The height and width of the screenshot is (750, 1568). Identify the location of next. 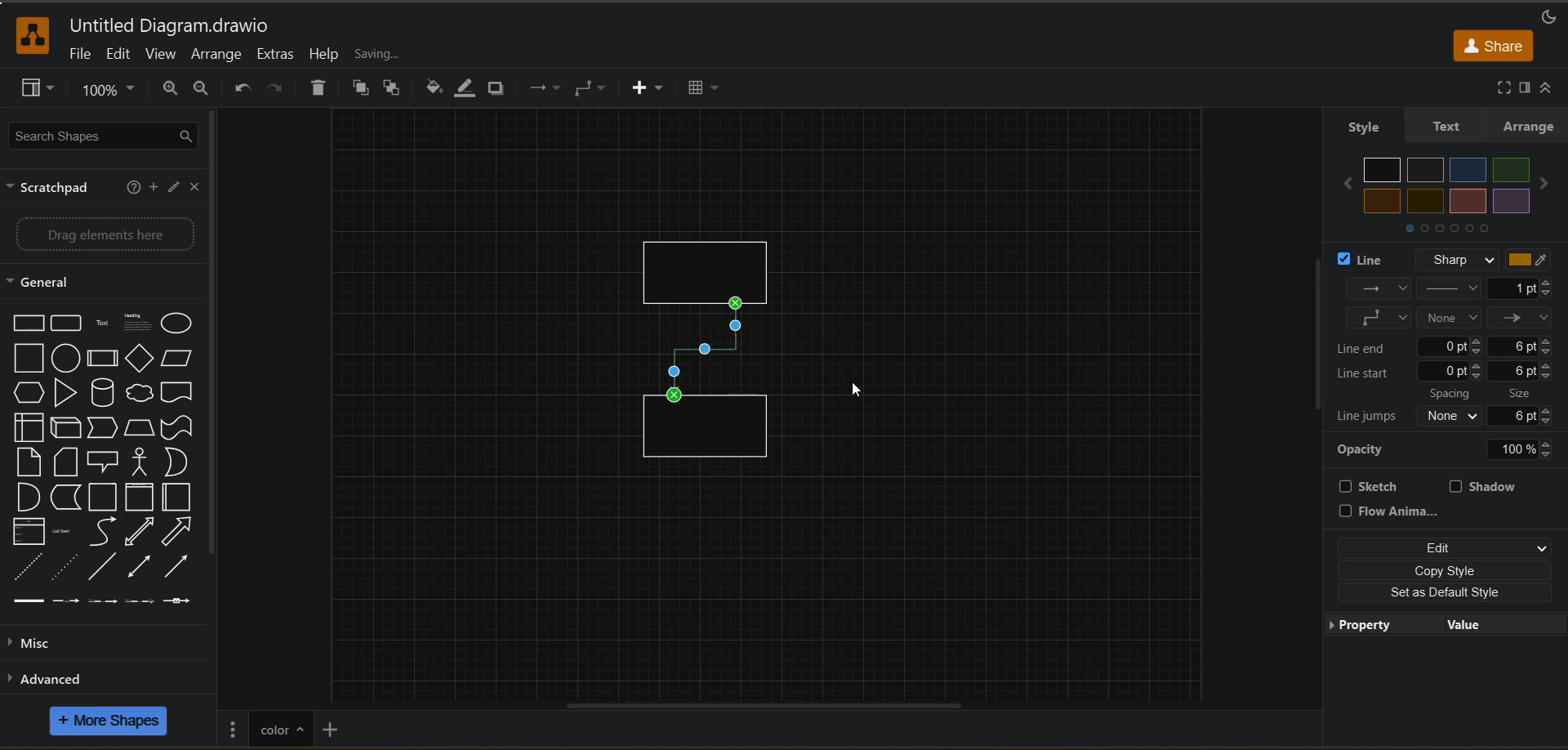
(1548, 185).